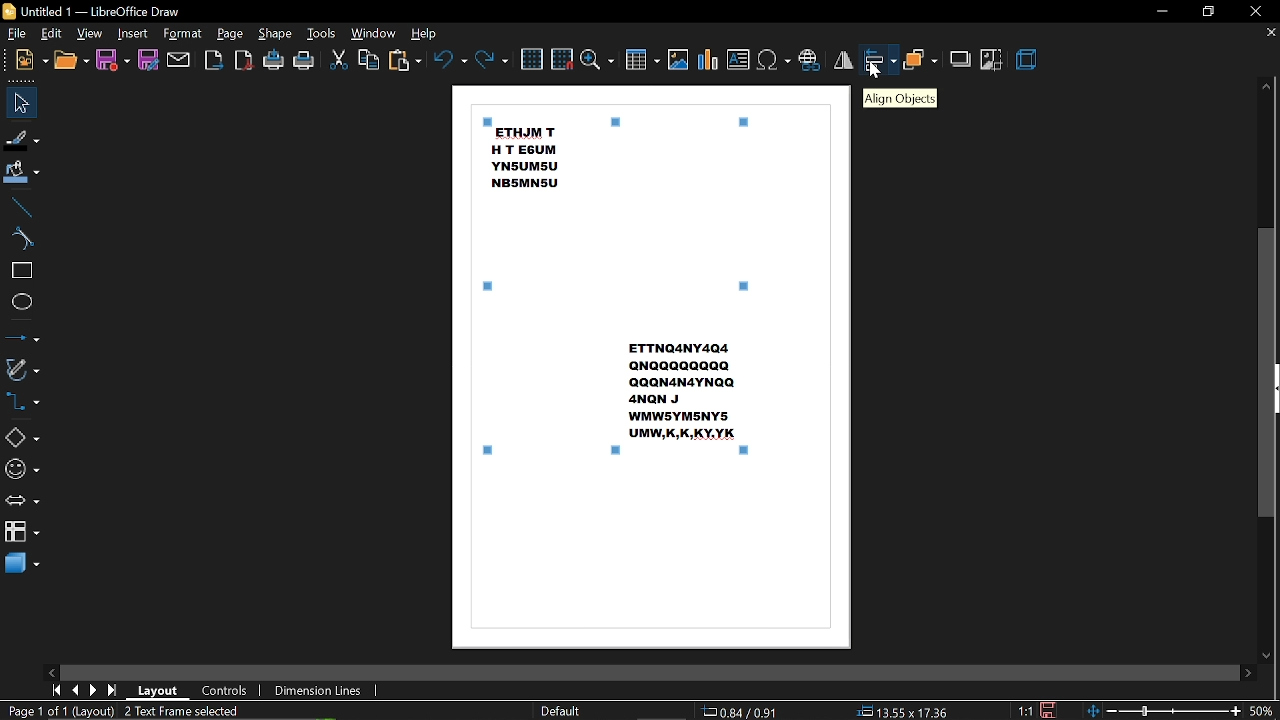  Describe the element at coordinates (992, 60) in the screenshot. I see `crop` at that location.